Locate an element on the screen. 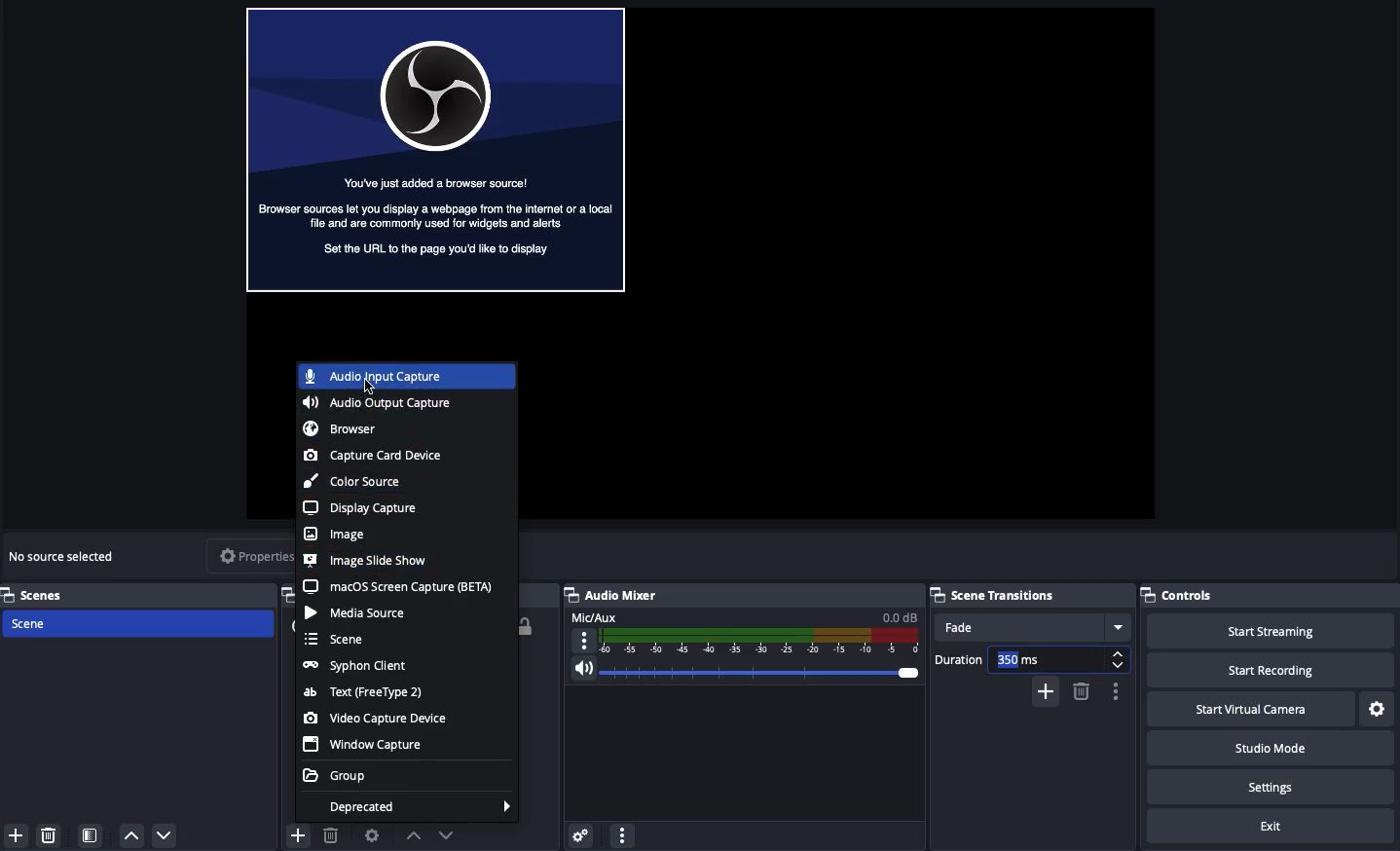  Volume is located at coordinates (743, 669).